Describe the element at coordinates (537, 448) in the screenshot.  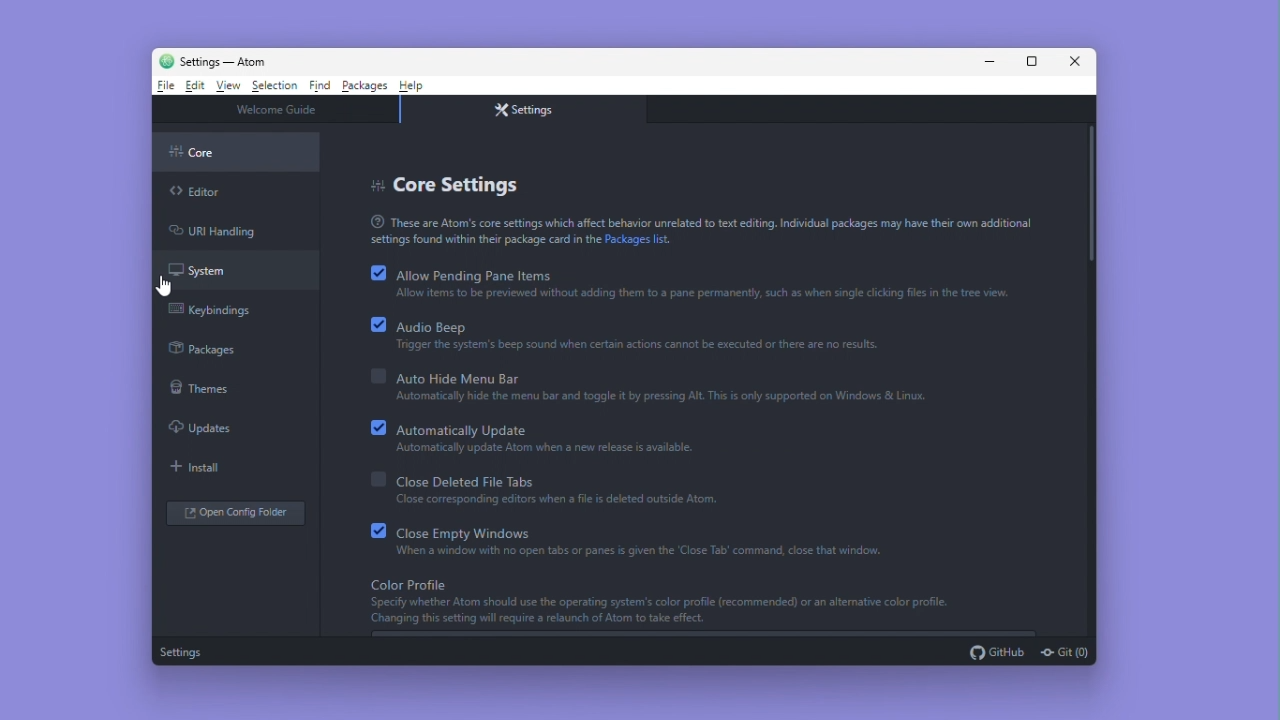
I see `automatically update ATOM when a new release is available` at that location.